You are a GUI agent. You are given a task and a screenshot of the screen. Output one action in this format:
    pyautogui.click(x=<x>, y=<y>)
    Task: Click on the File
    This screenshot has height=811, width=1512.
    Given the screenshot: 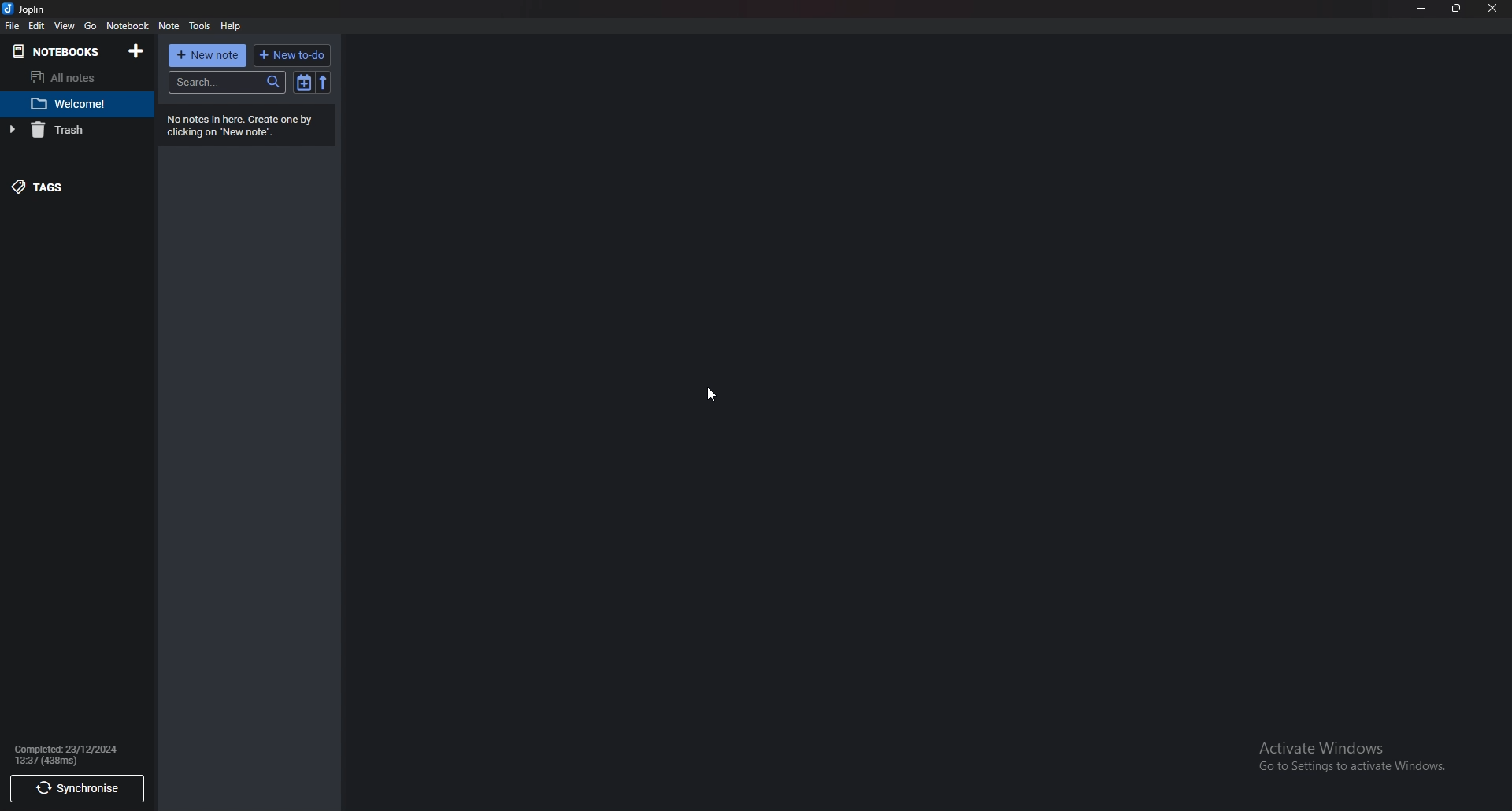 What is the action you would take?
    pyautogui.click(x=12, y=25)
    